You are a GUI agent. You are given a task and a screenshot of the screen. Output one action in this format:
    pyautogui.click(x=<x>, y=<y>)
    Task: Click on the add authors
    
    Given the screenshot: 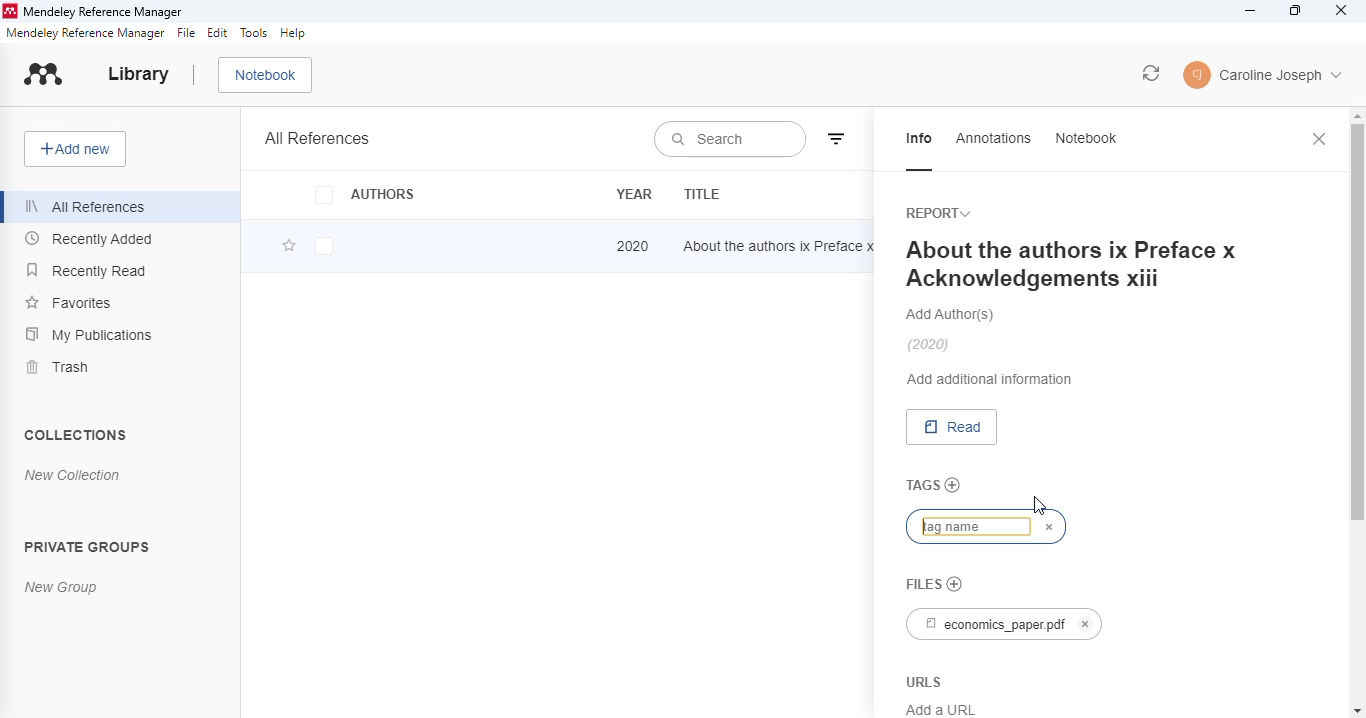 What is the action you would take?
    pyautogui.click(x=951, y=314)
    